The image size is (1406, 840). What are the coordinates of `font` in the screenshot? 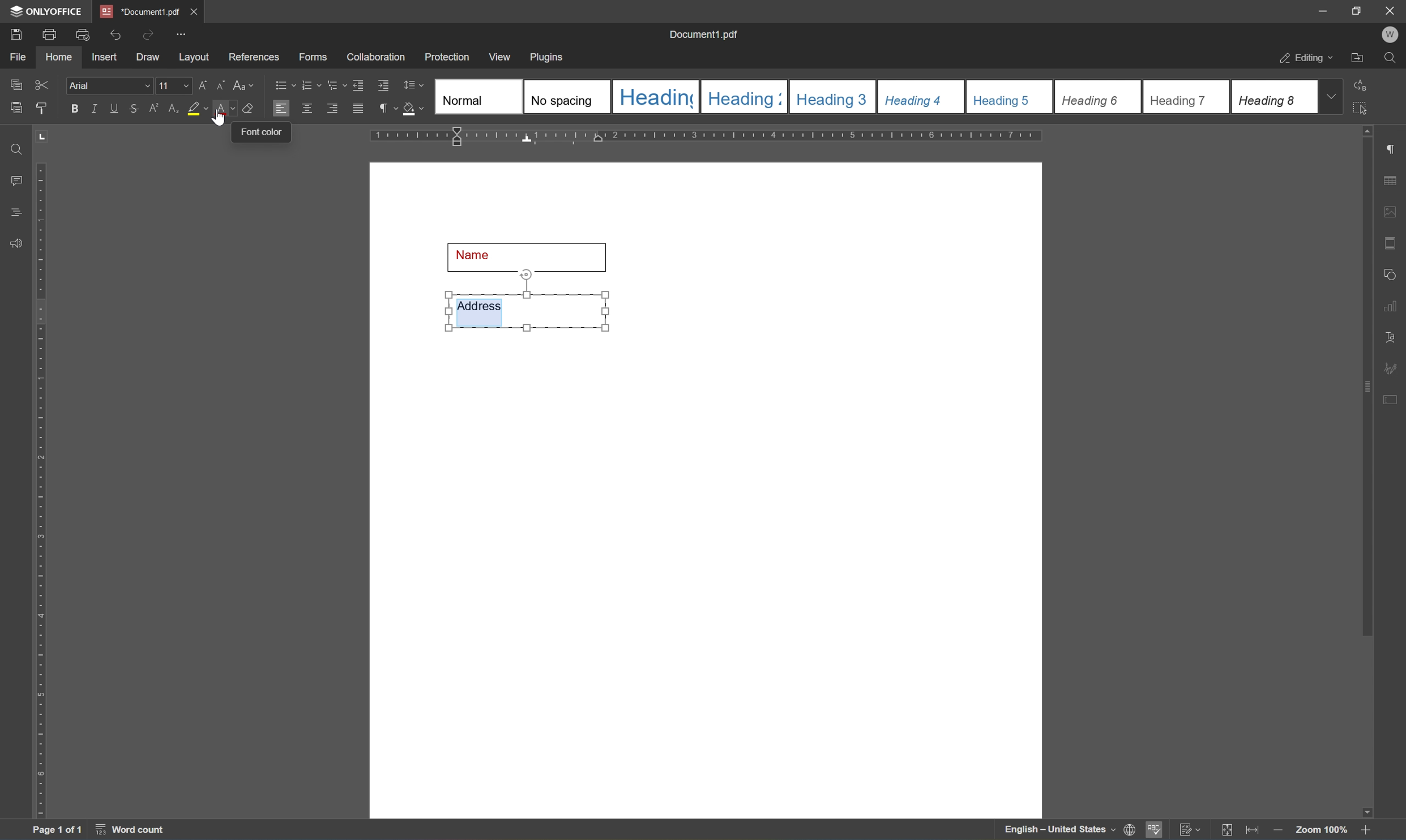 It's located at (110, 86).